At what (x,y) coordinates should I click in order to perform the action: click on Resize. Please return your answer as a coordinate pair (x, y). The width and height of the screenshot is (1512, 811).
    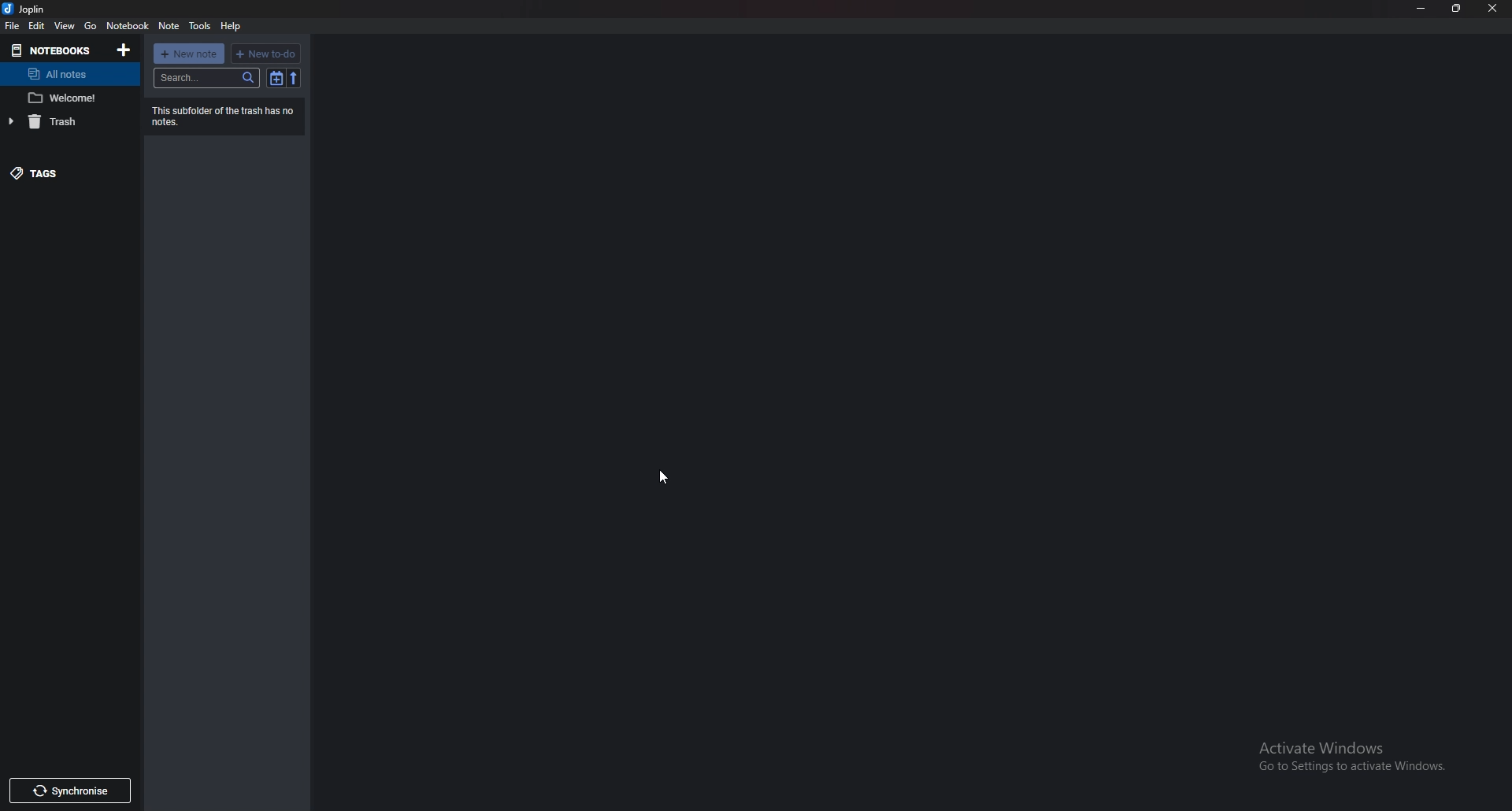
    Looking at the image, I should click on (1456, 9).